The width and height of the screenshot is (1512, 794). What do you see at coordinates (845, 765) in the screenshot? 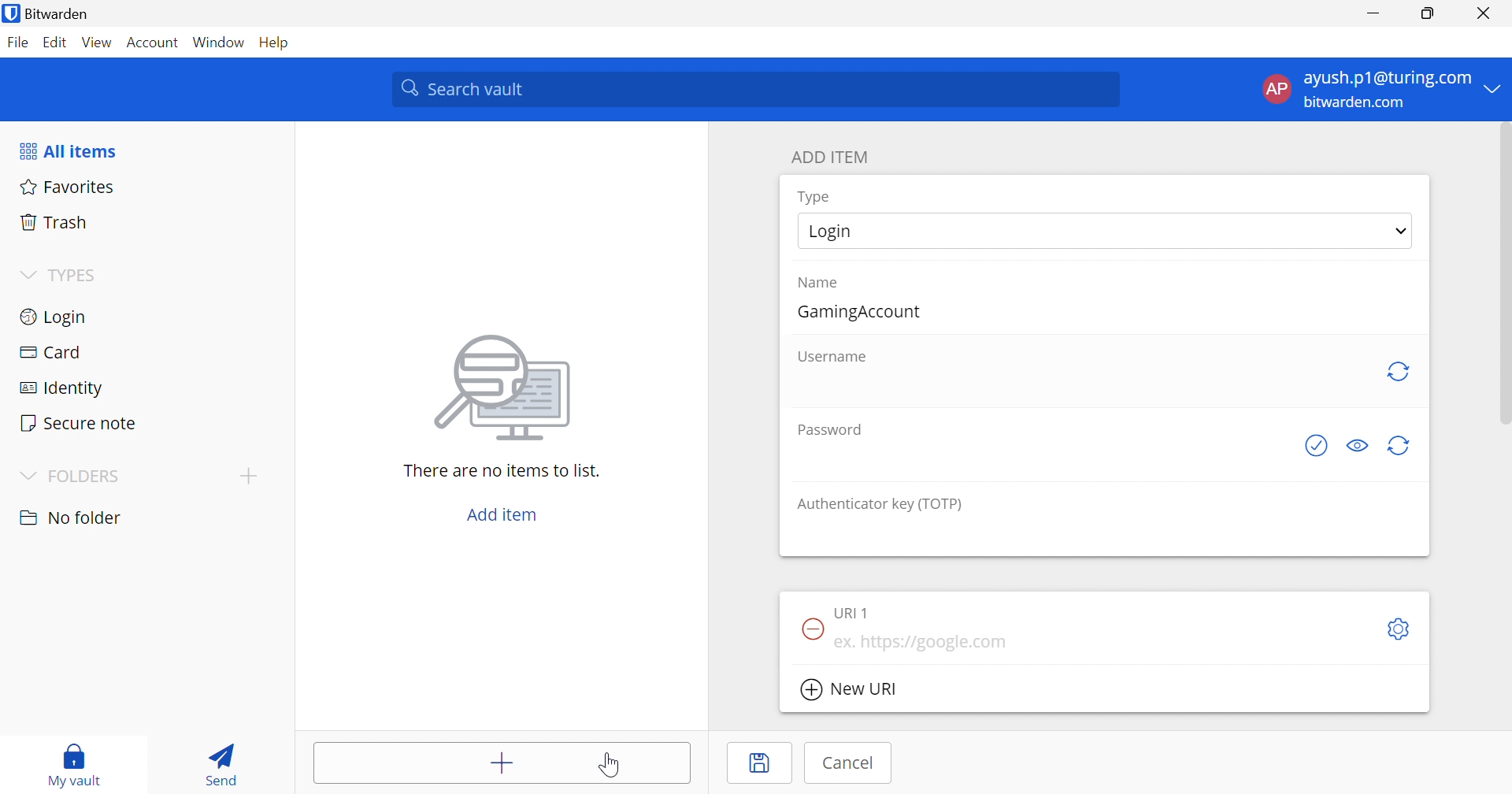
I see `Cancel` at bounding box center [845, 765].